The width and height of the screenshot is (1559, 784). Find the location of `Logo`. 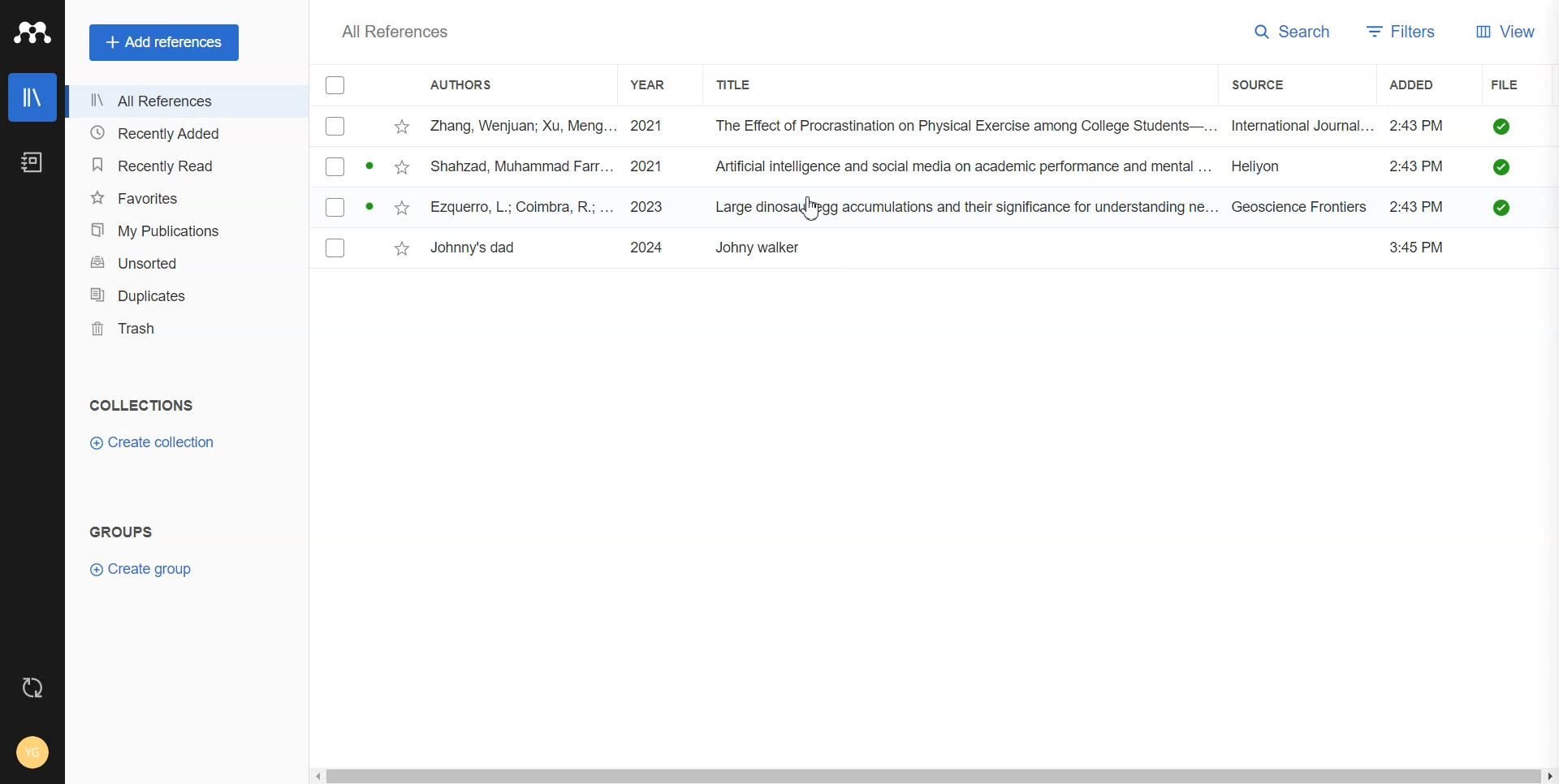

Logo is located at coordinates (32, 32).